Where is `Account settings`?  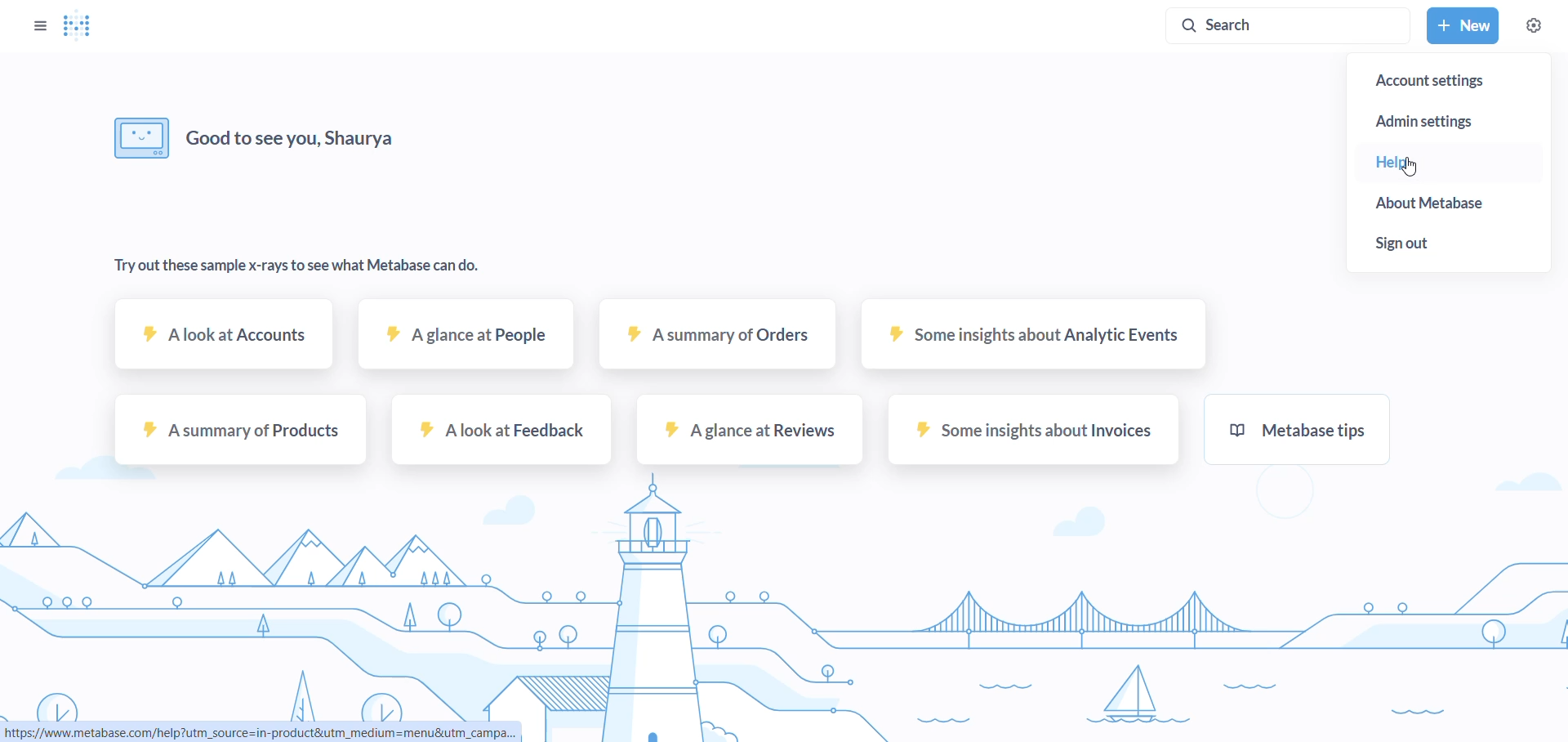
Account settings is located at coordinates (1451, 81).